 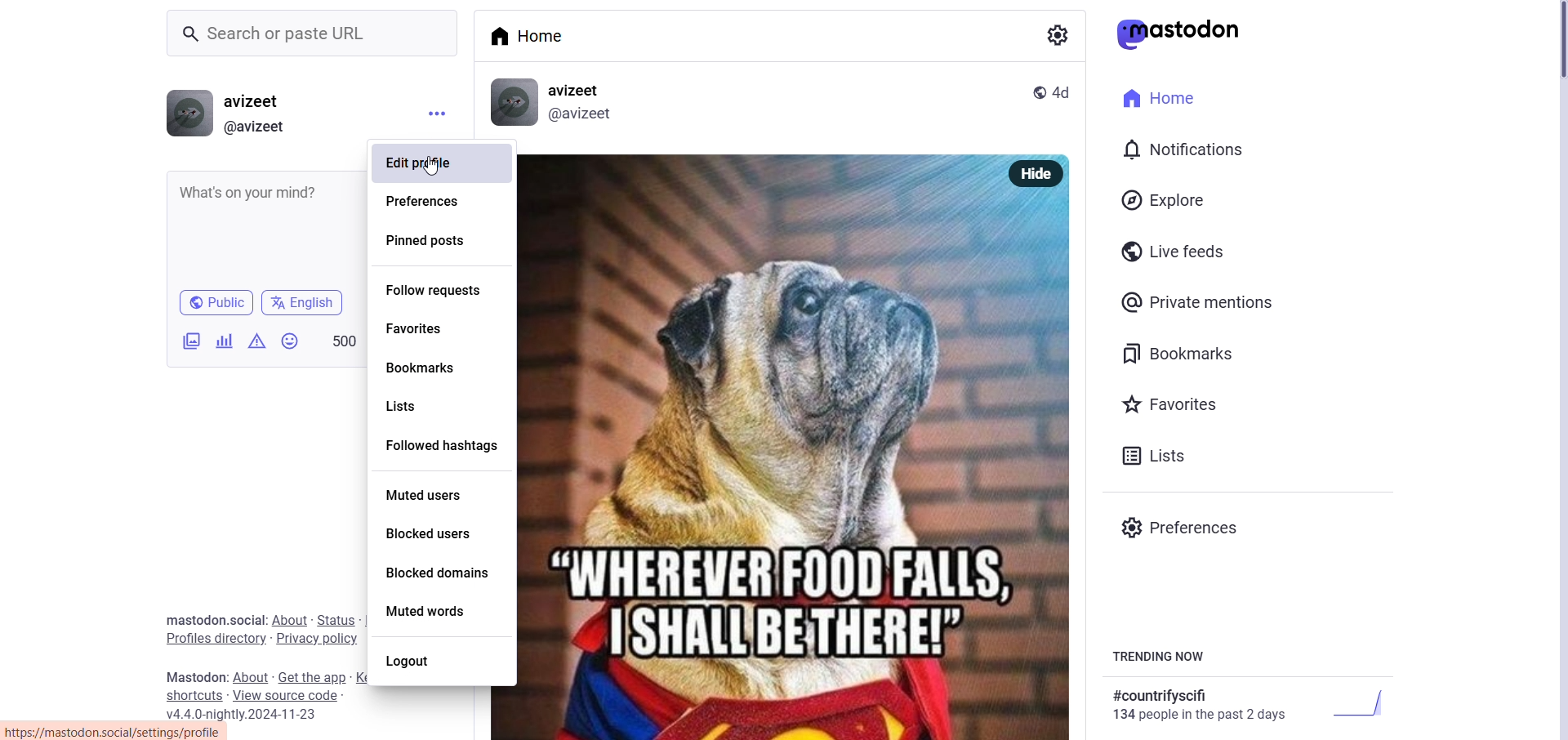 What do you see at coordinates (423, 164) in the screenshot?
I see `edit profile` at bounding box center [423, 164].